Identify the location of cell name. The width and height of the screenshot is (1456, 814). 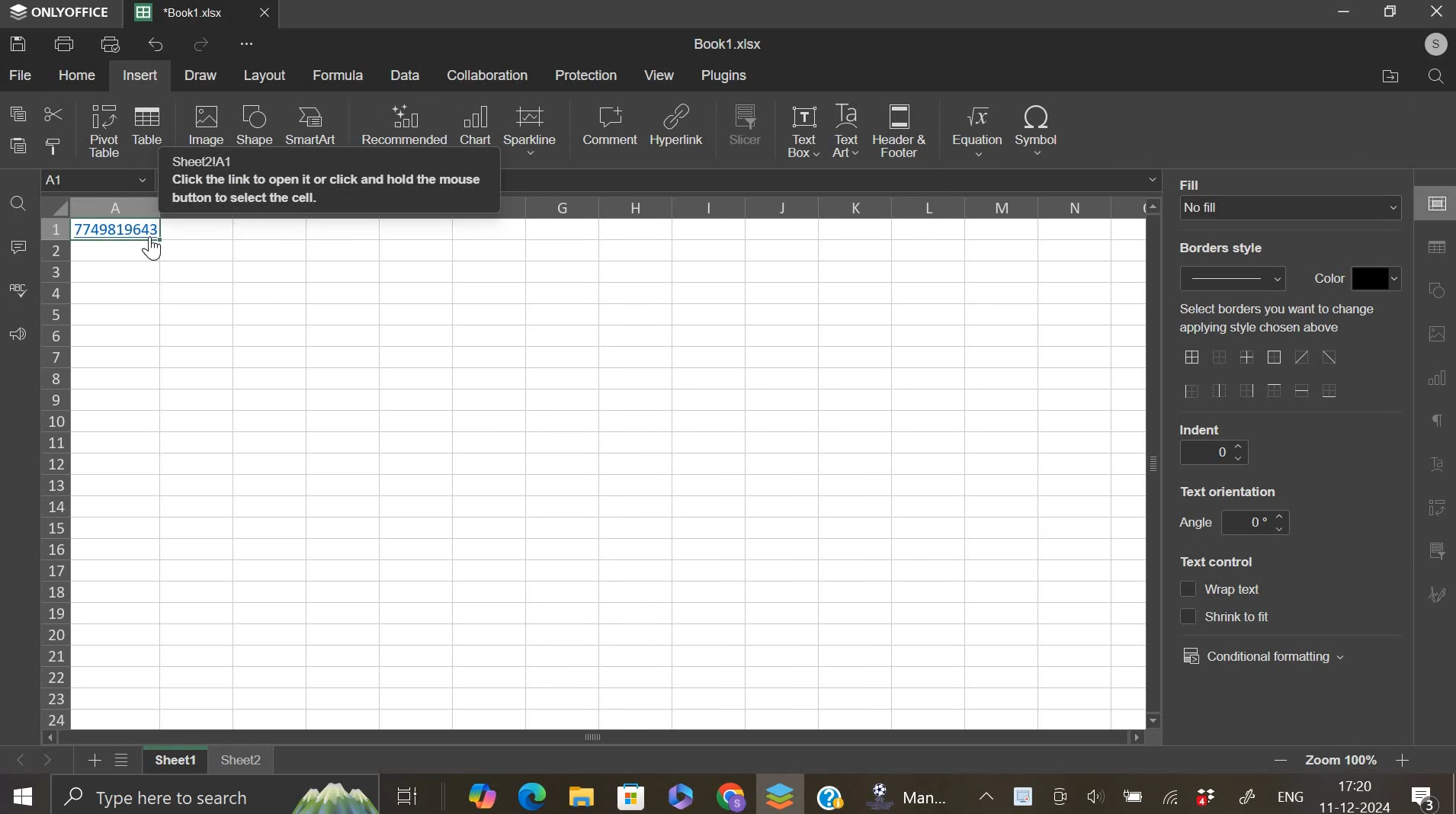
(98, 181).